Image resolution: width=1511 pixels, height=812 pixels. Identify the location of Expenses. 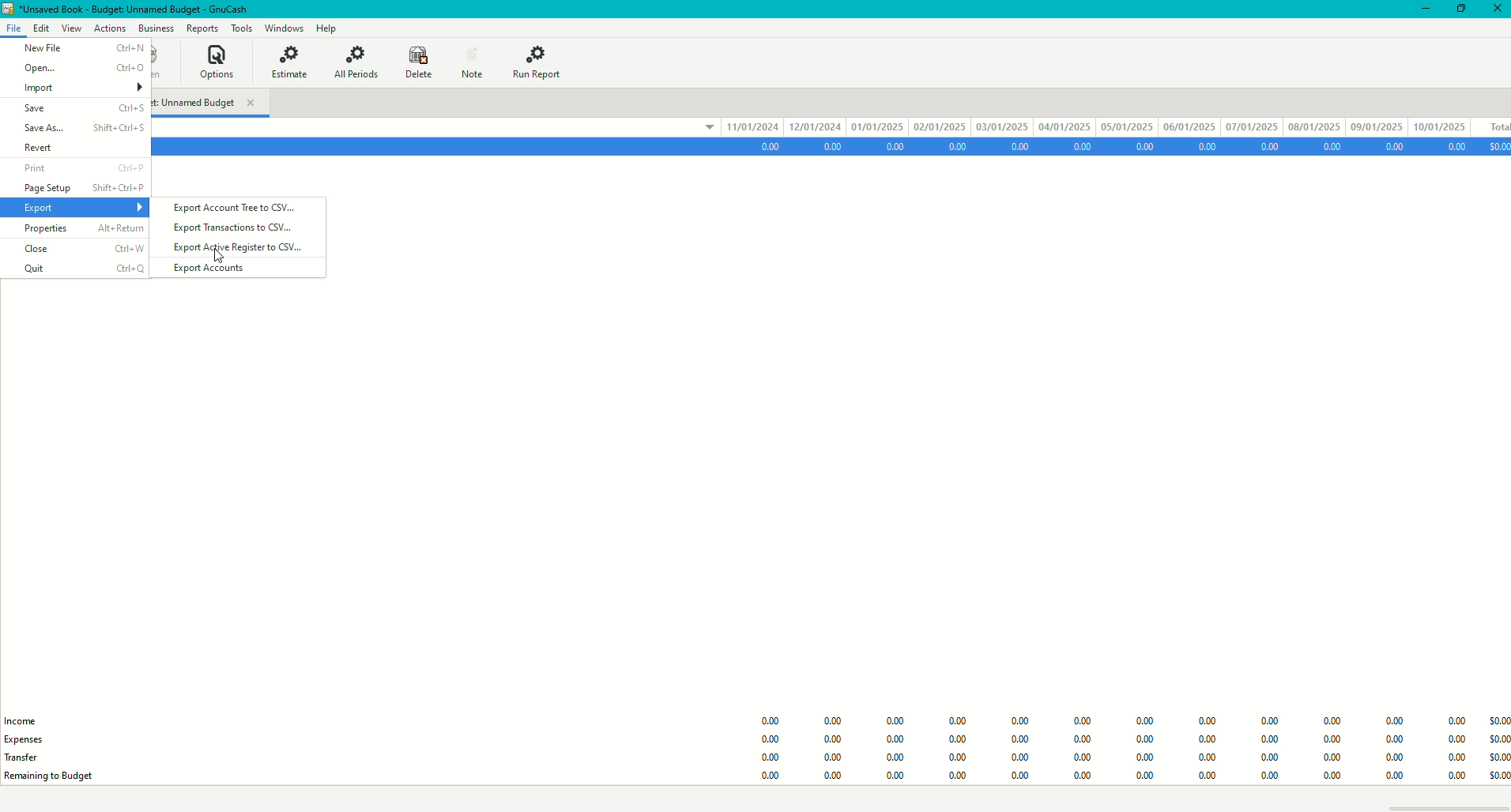
(34, 740).